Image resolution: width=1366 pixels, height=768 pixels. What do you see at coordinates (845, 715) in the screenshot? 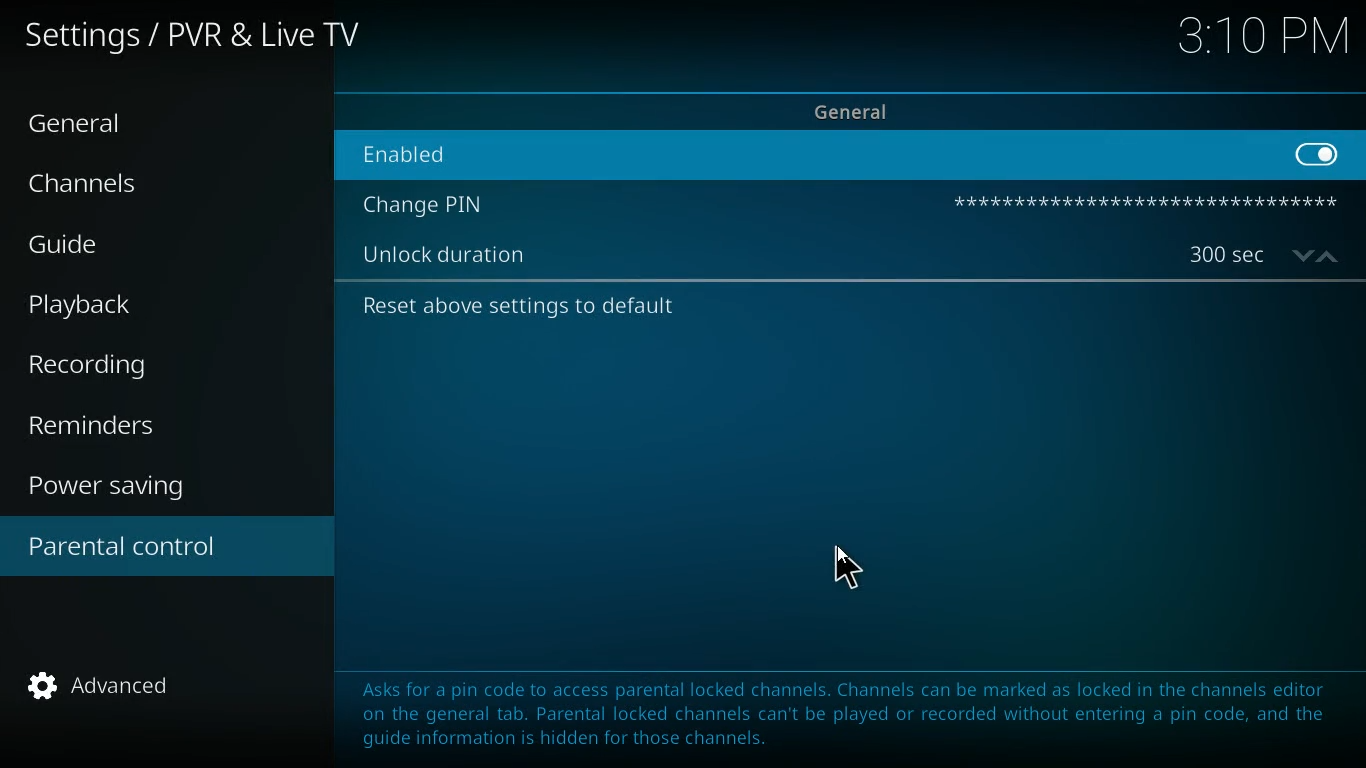
I see `message` at bounding box center [845, 715].